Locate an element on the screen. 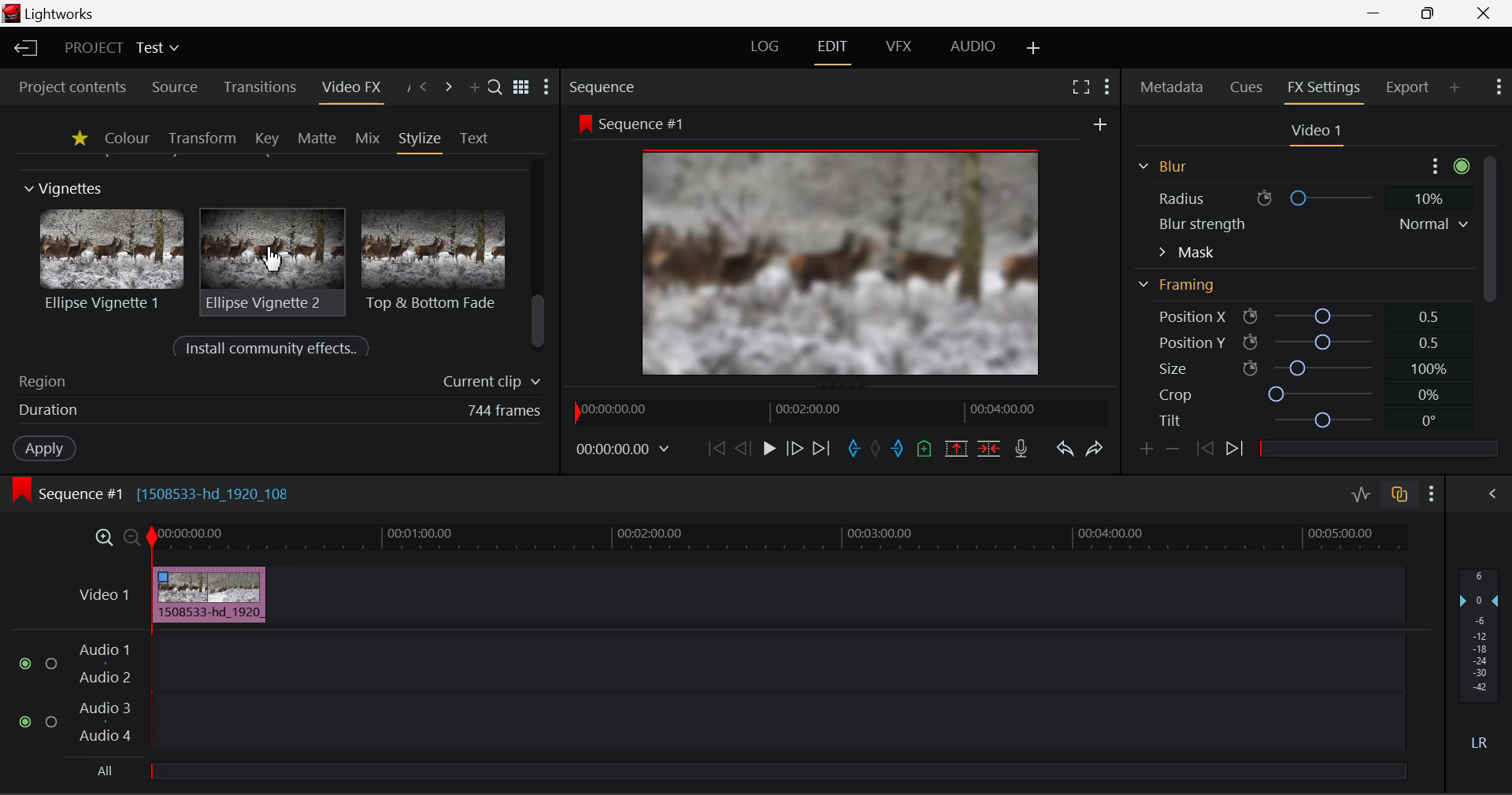 The width and height of the screenshot is (1512, 795). Mark Out is located at coordinates (898, 445).